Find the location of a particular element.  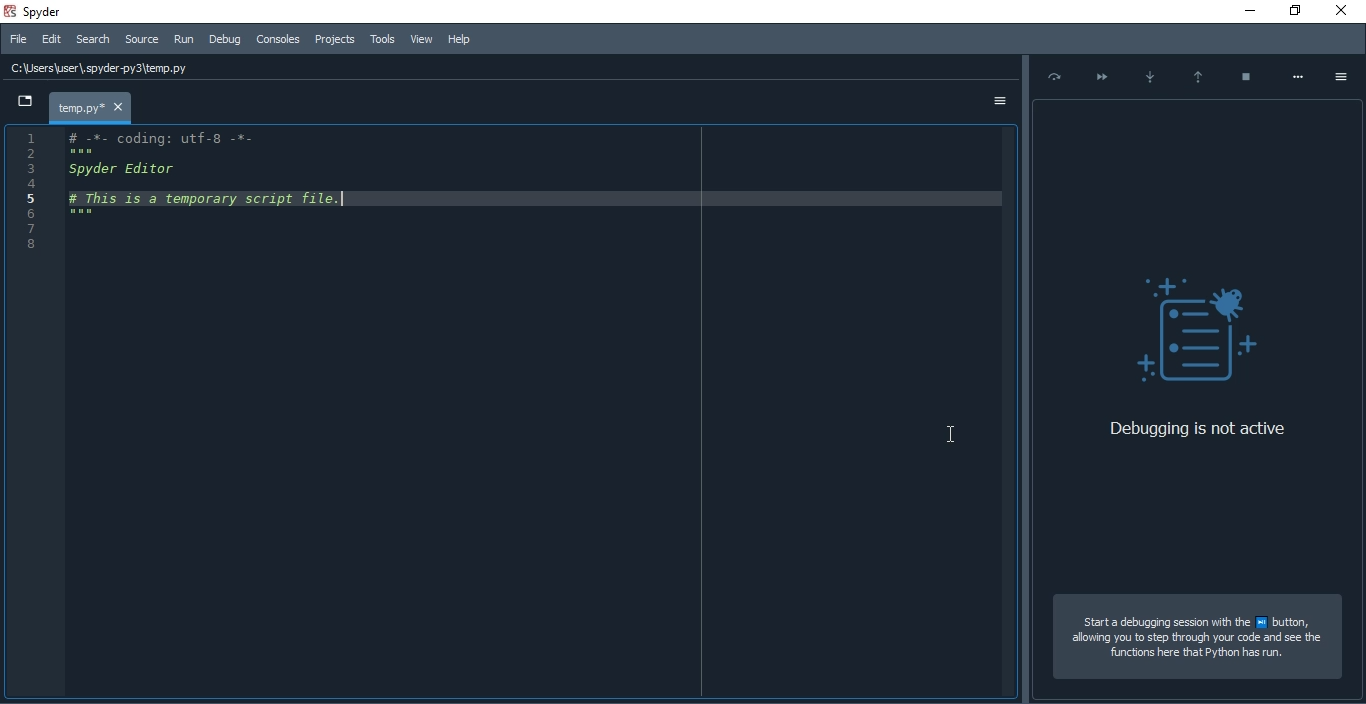

Line numbers is located at coordinates (24, 193).